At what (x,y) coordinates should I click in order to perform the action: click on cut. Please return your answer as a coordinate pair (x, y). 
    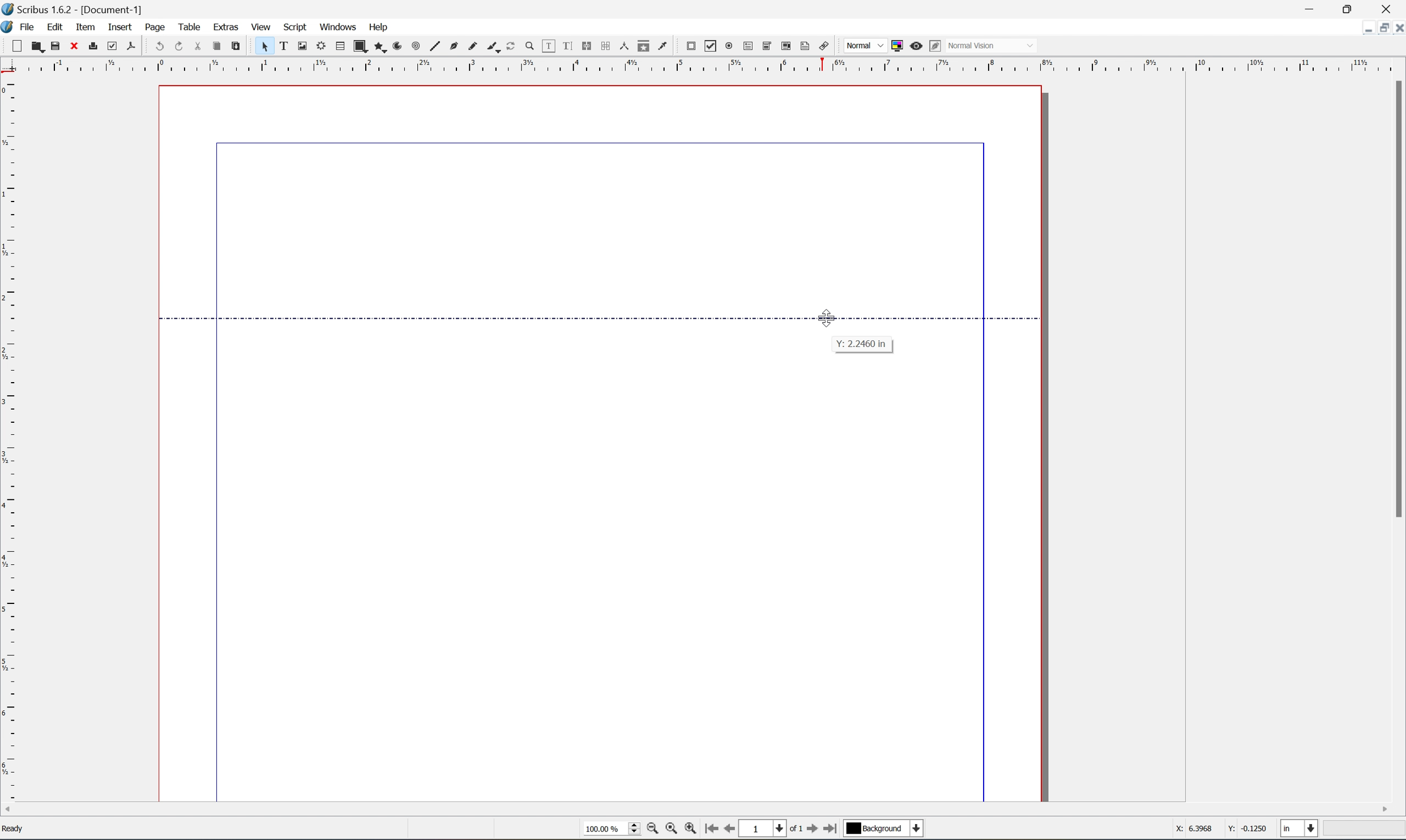
    Looking at the image, I should click on (203, 44).